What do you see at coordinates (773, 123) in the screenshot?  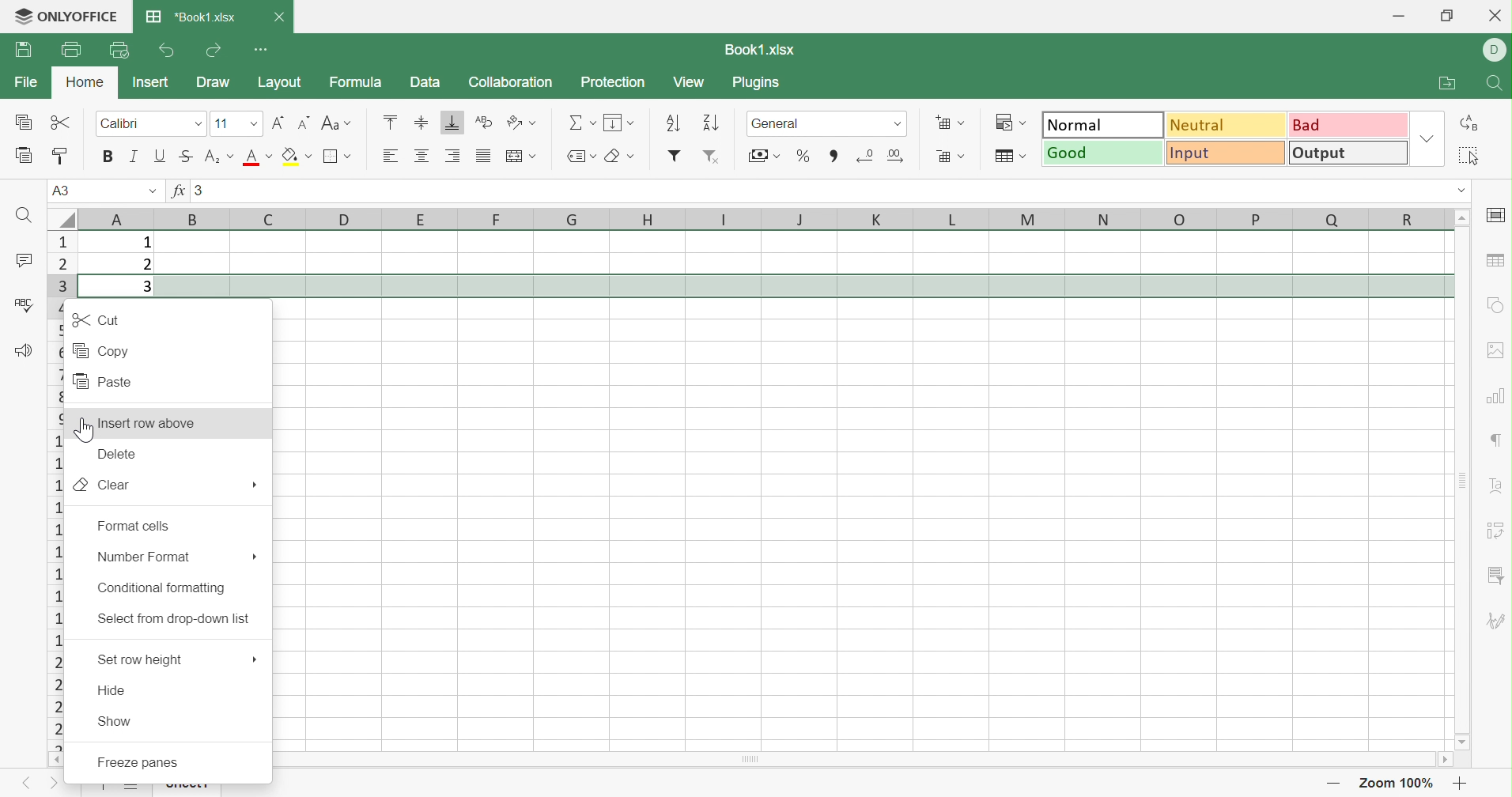 I see `General` at bounding box center [773, 123].